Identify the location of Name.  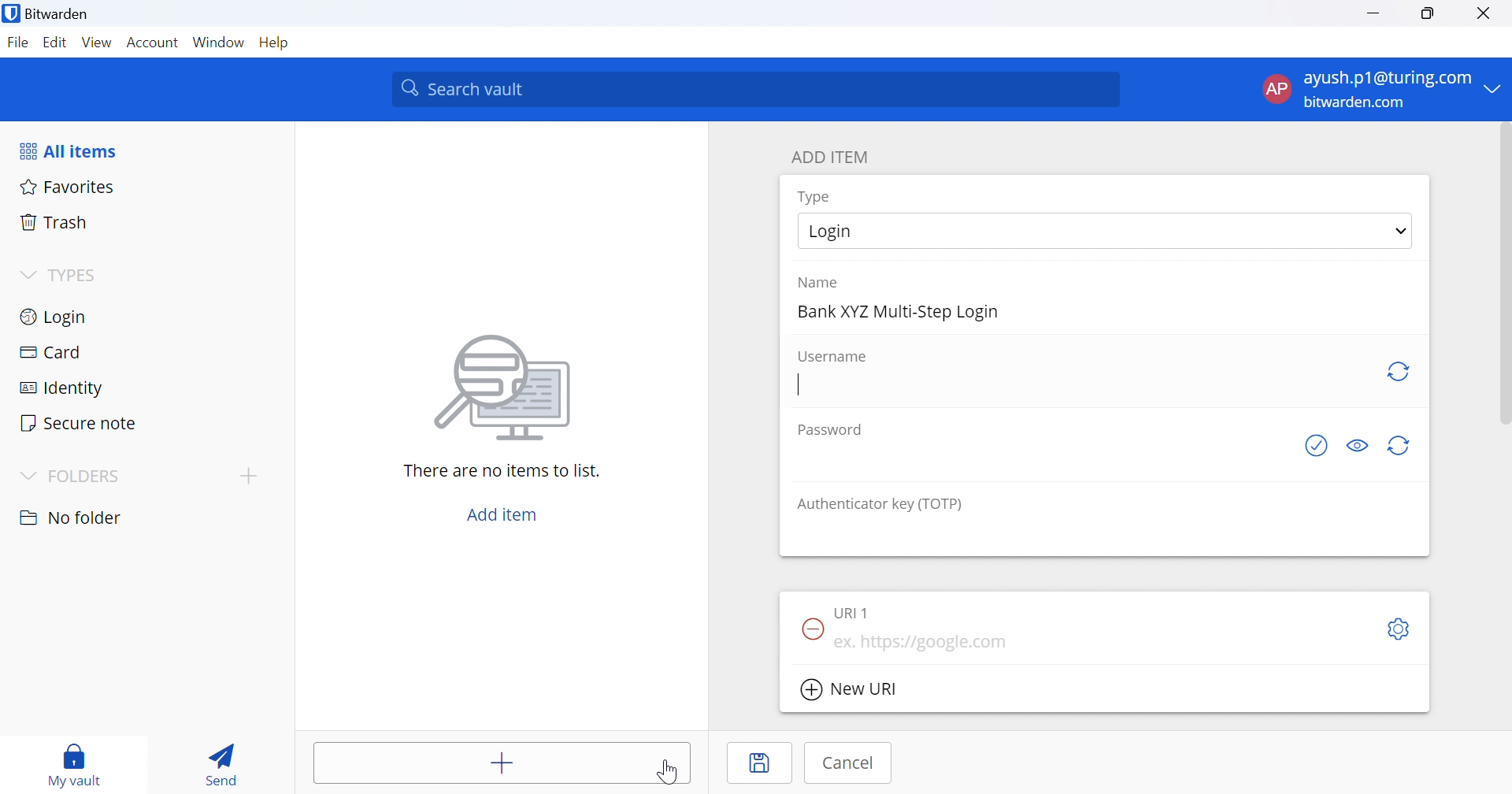
(821, 283).